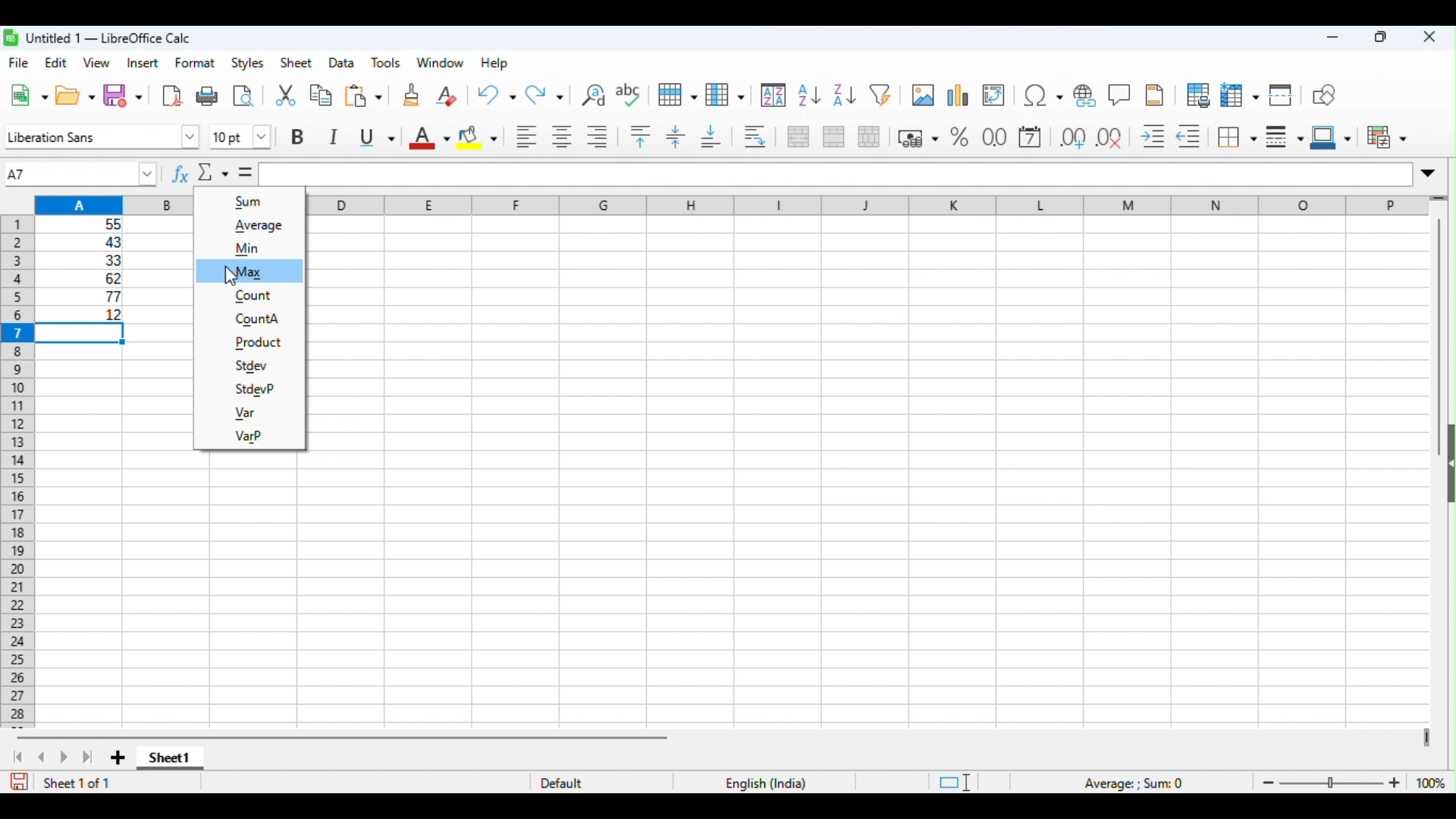 This screenshot has width=1456, height=819. Describe the element at coordinates (118, 756) in the screenshot. I see `add new sheet` at that location.